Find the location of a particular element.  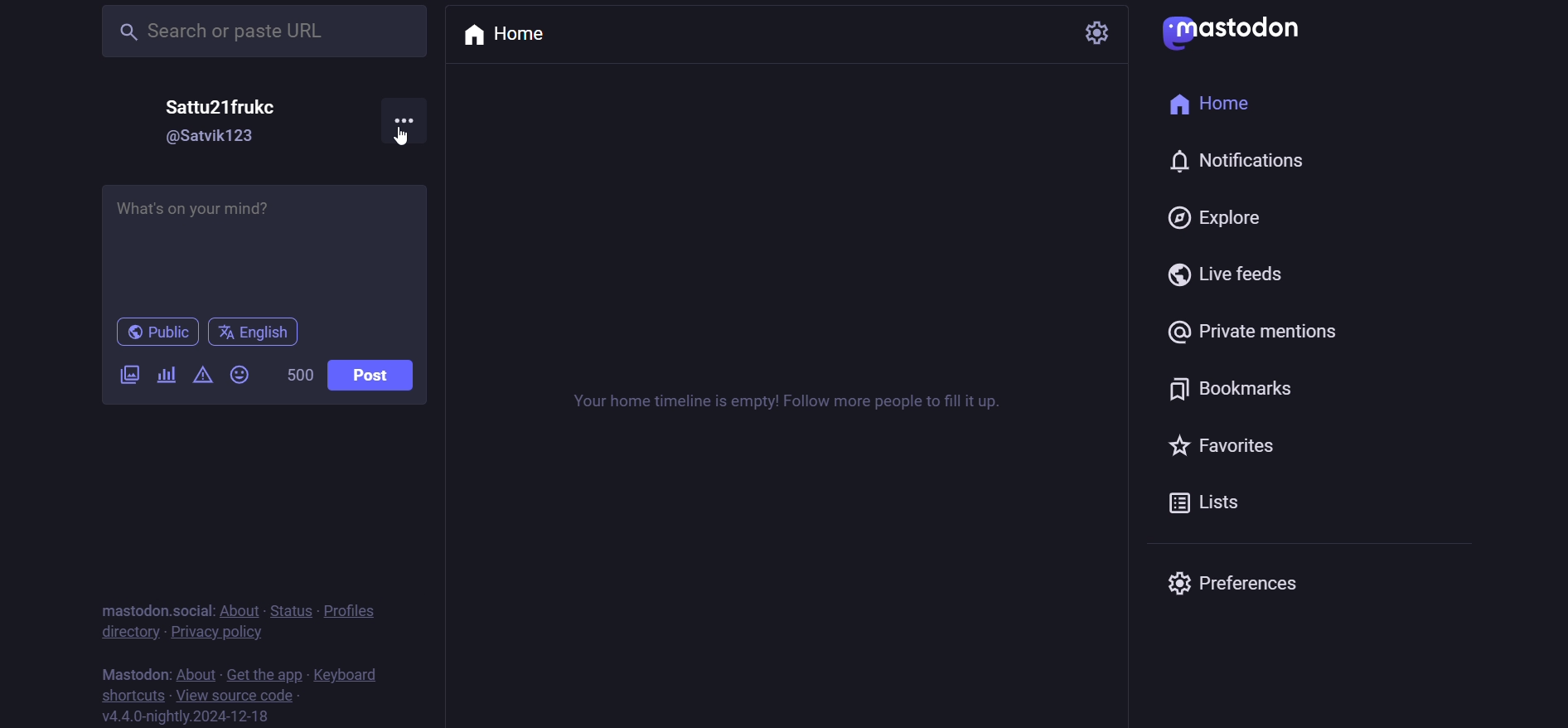

get the app is located at coordinates (260, 673).